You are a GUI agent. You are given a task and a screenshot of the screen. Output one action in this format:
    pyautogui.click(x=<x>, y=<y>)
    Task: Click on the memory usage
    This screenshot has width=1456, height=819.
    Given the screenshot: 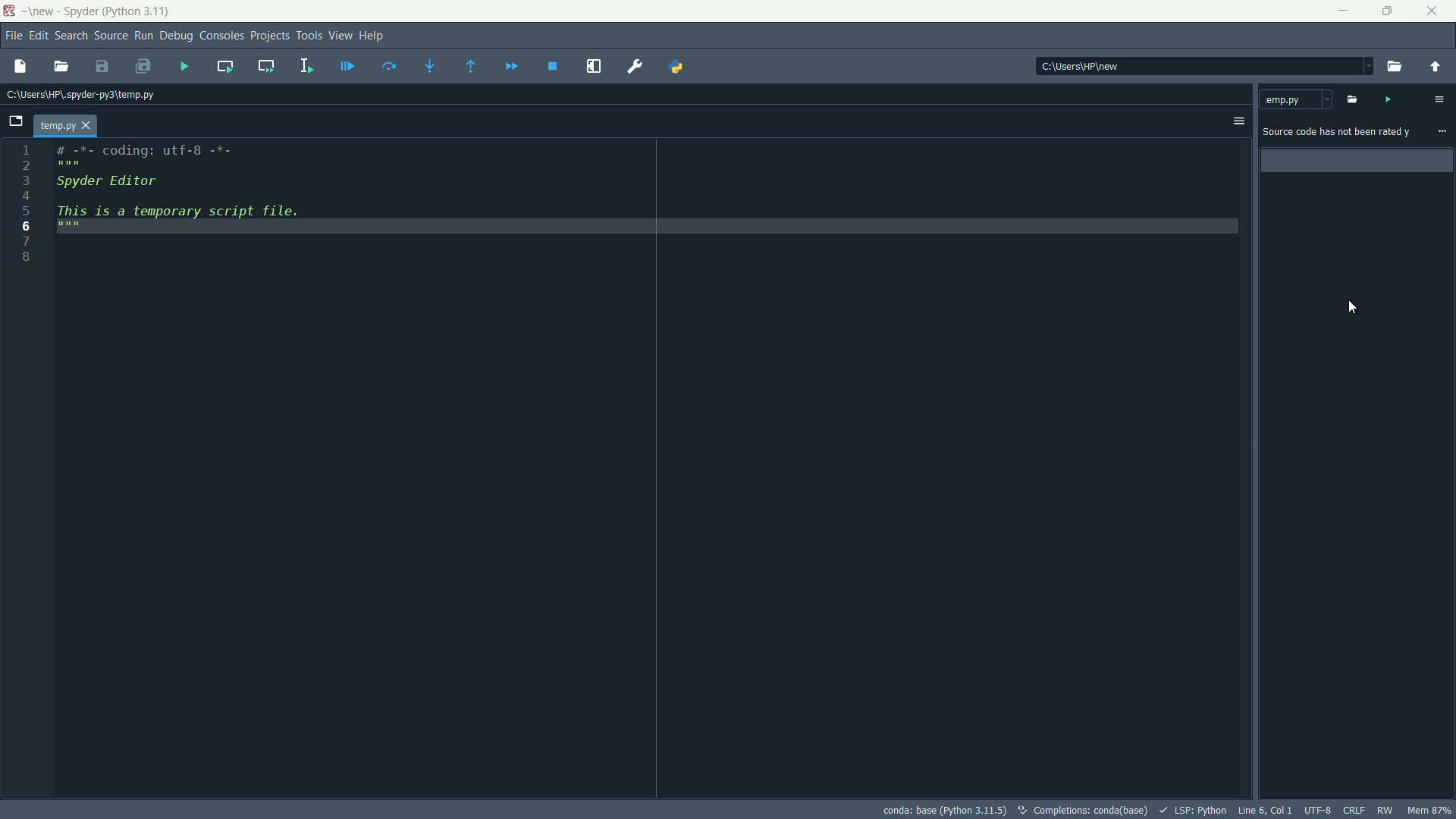 What is the action you would take?
    pyautogui.click(x=1429, y=810)
    